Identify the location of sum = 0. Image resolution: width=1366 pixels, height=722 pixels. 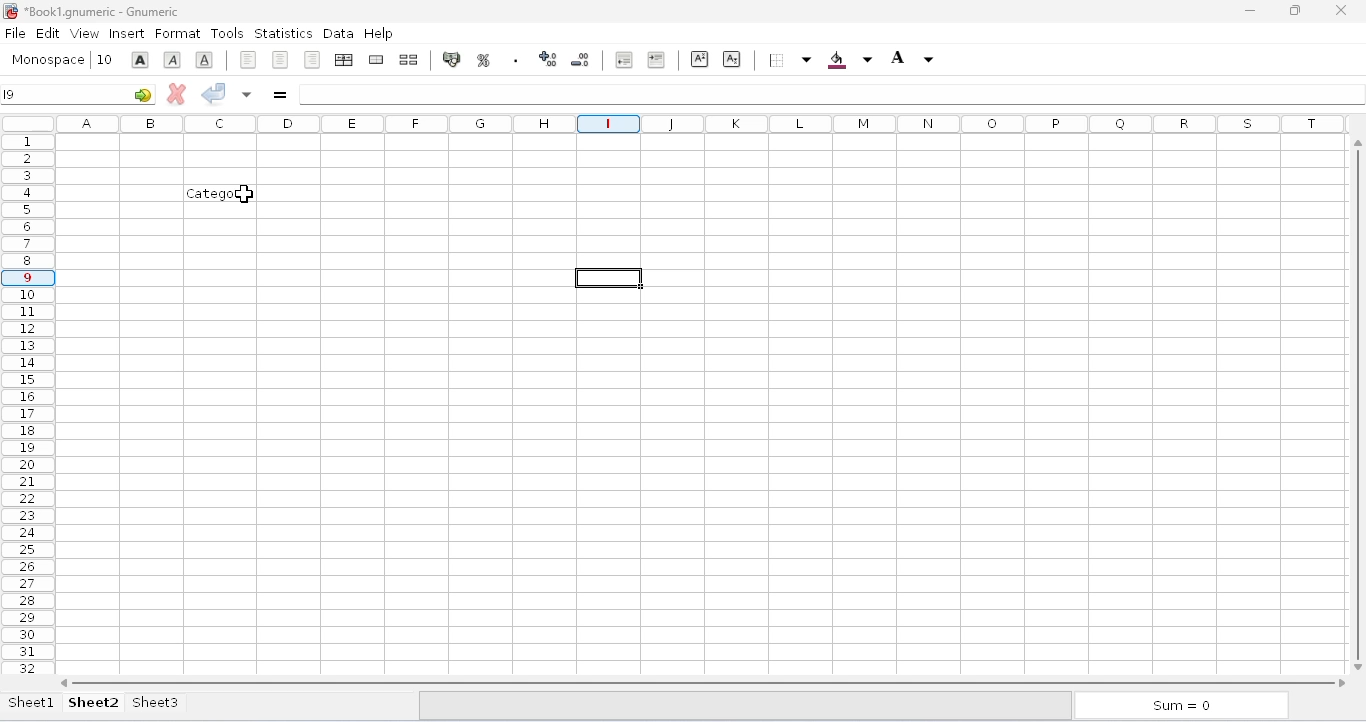
(1179, 707).